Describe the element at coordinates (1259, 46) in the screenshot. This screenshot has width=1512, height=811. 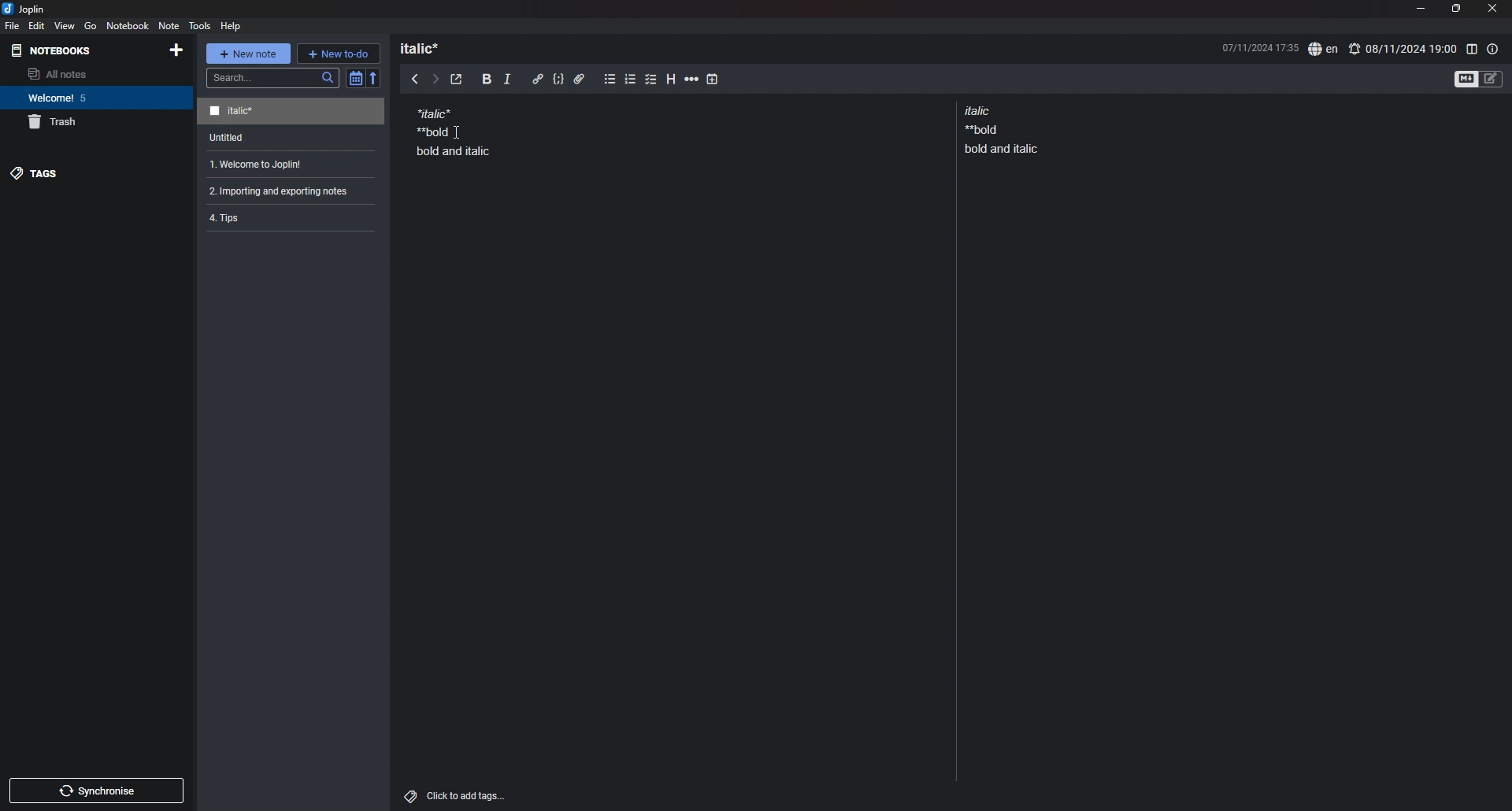
I see `date and time` at that location.